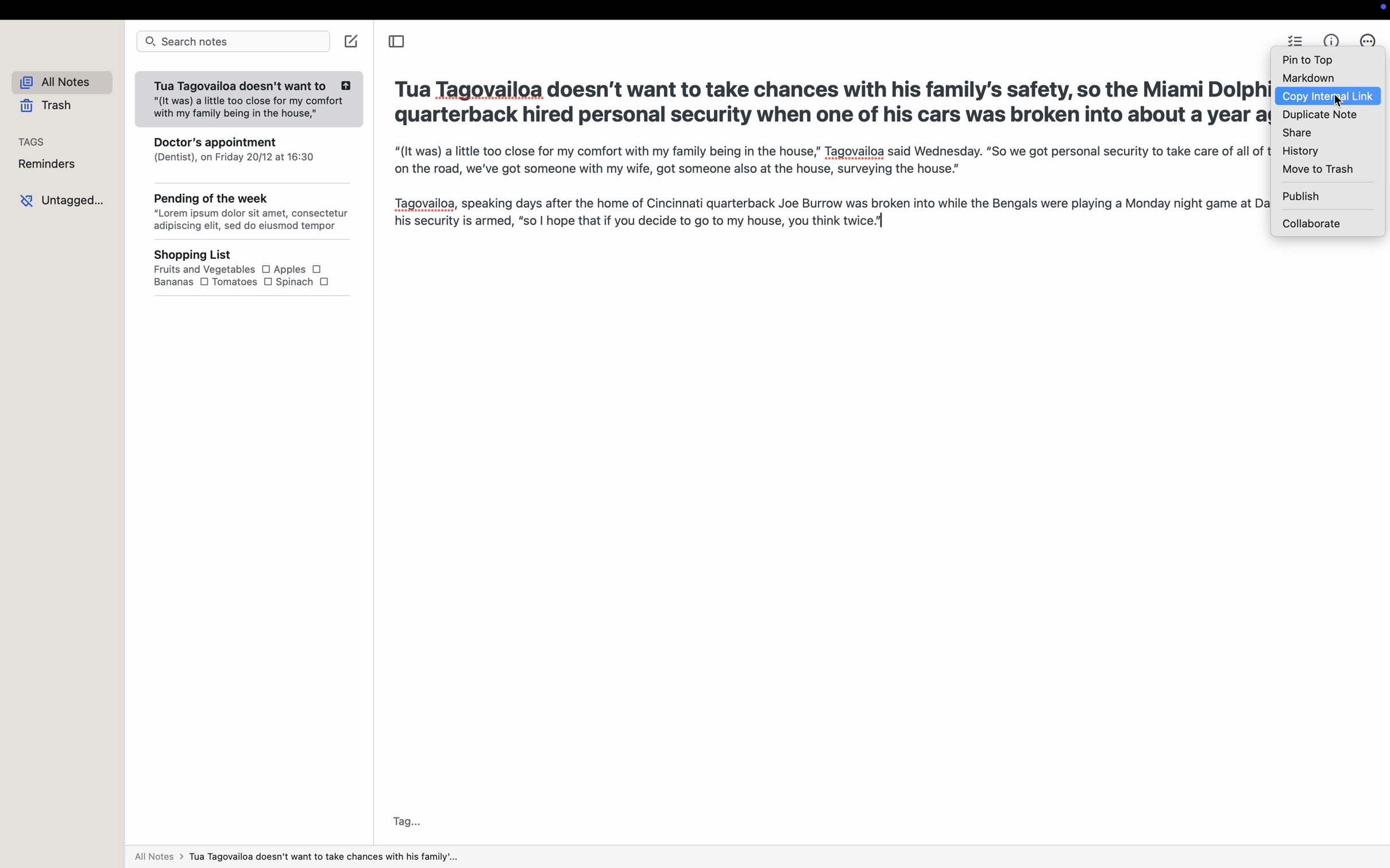  I want to click on All notes > Tua Tagovailoa doesn't want to take with his family, so click(315, 857).